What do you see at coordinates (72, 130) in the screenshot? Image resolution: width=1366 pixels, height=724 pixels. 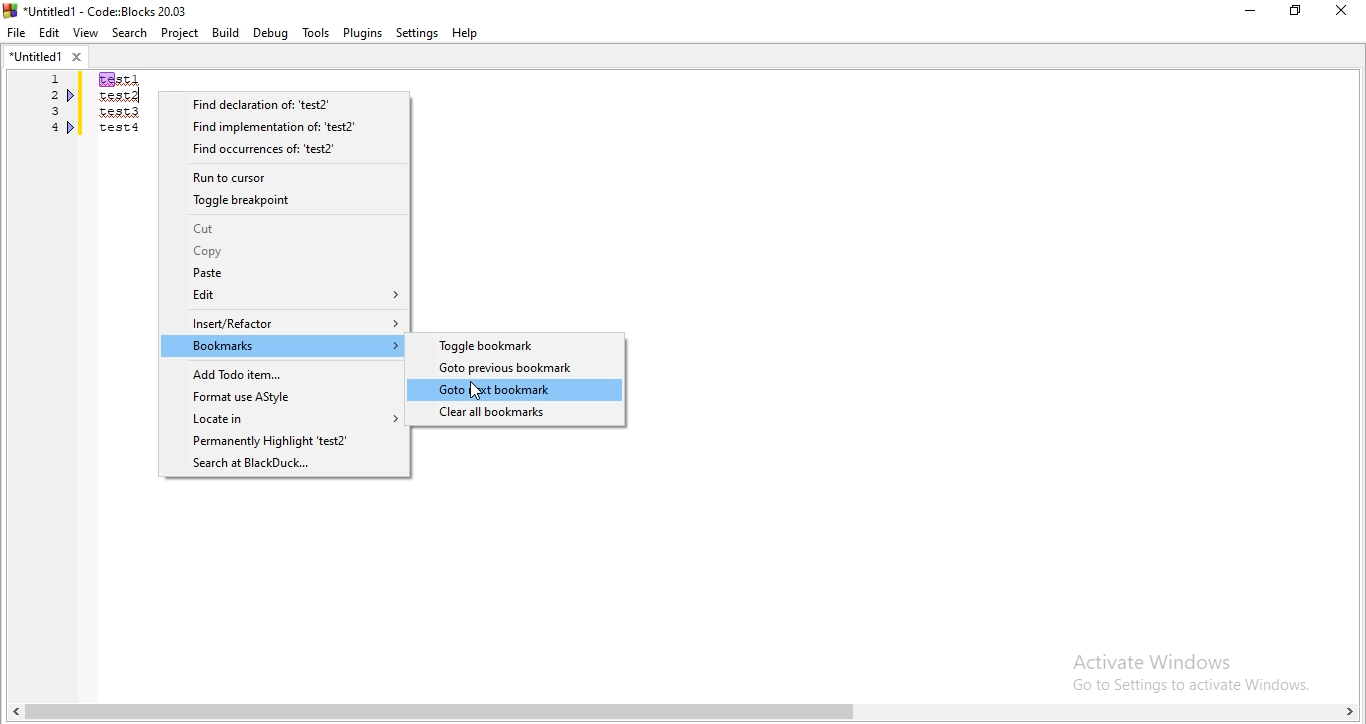 I see `Debugger Point` at bounding box center [72, 130].